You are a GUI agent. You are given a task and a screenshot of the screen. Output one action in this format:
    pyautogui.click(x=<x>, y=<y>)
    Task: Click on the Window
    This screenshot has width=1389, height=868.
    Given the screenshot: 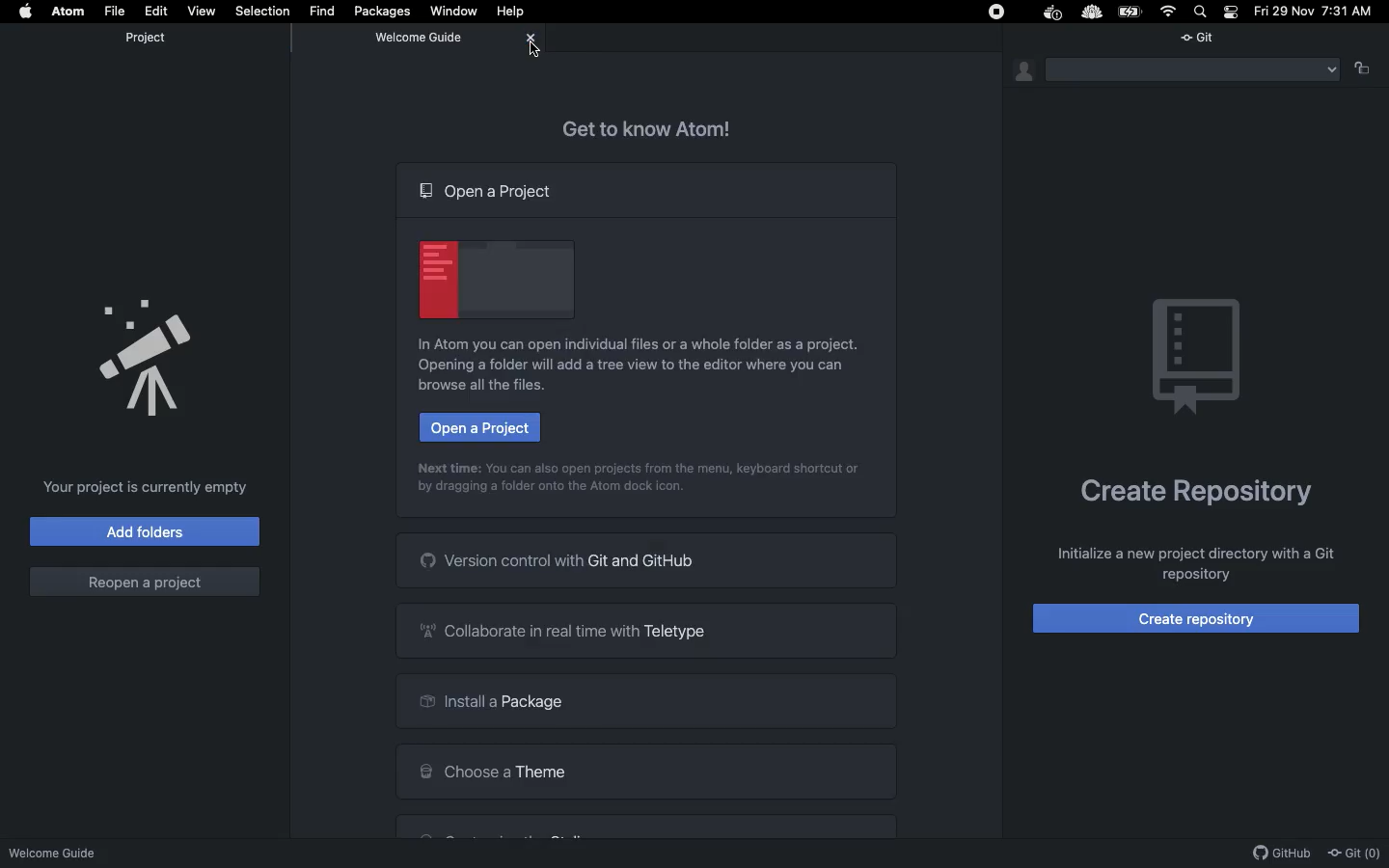 What is the action you would take?
    pyautogui.click(x=457, y=10)
    